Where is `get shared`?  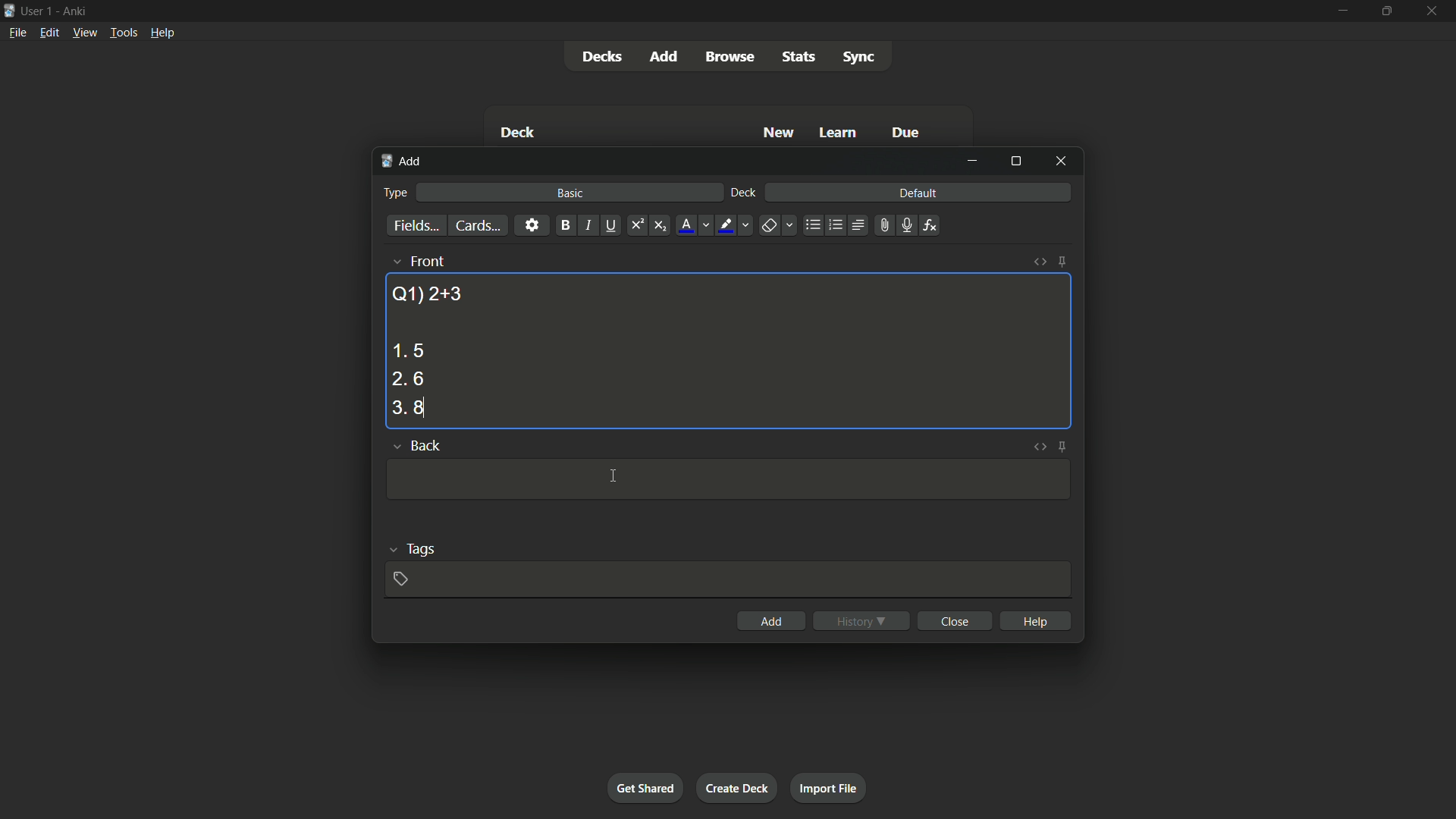 get shared is located at coordinates (645, 787).